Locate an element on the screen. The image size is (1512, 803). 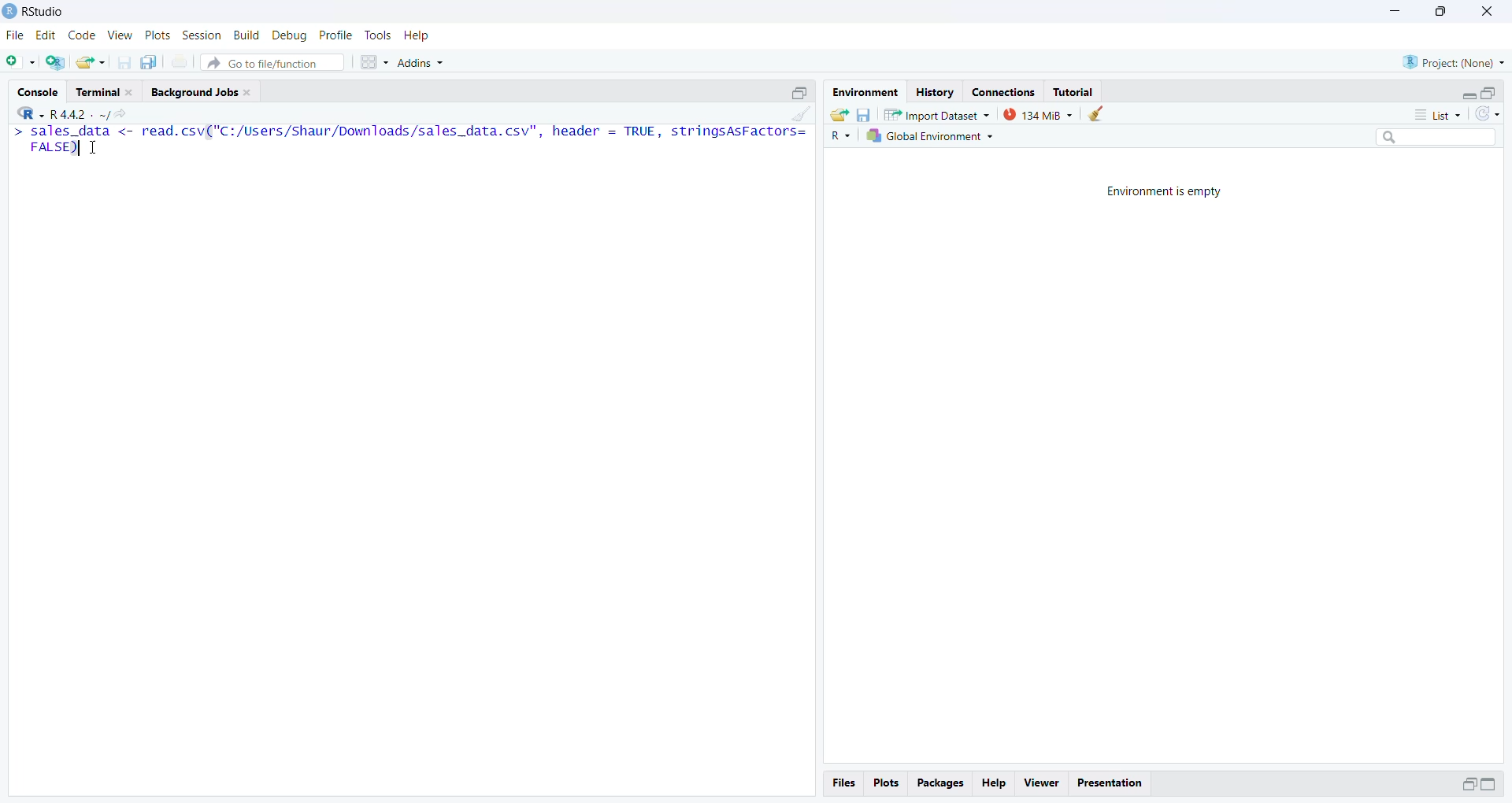
viewer is located at coordinates (1043, 782).